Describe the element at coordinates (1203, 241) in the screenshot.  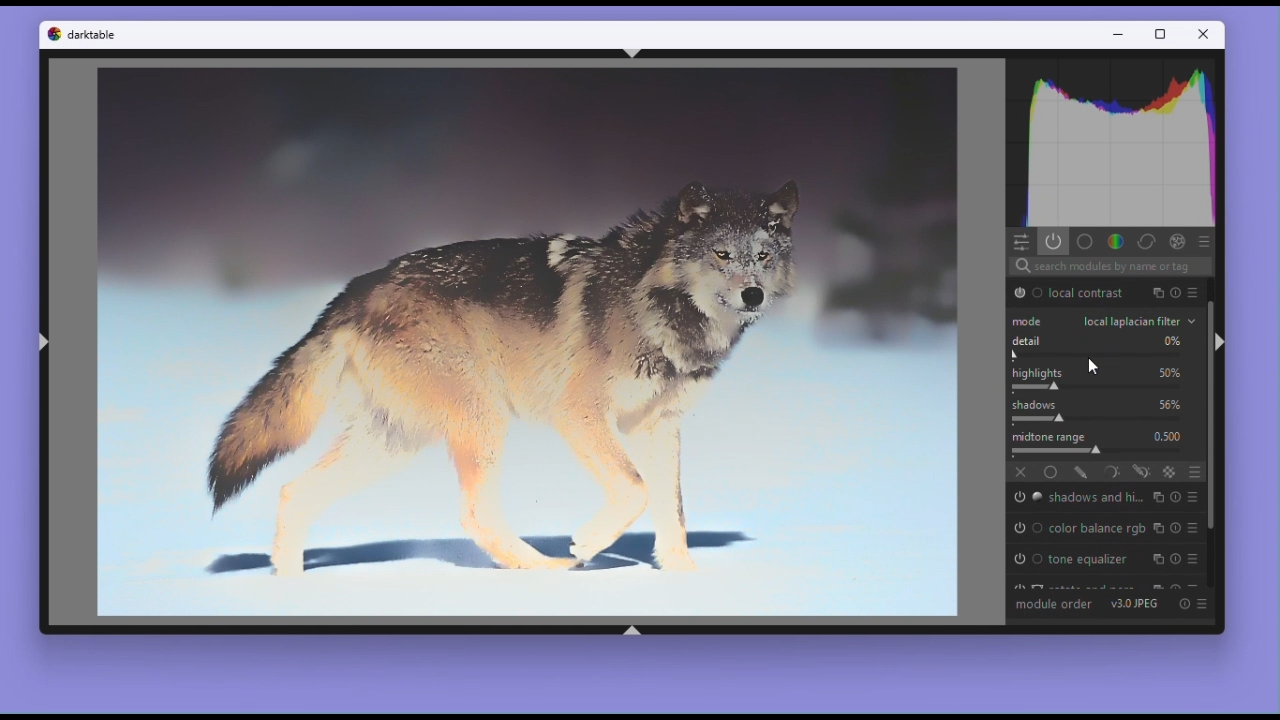
I see `Preset` at that location.